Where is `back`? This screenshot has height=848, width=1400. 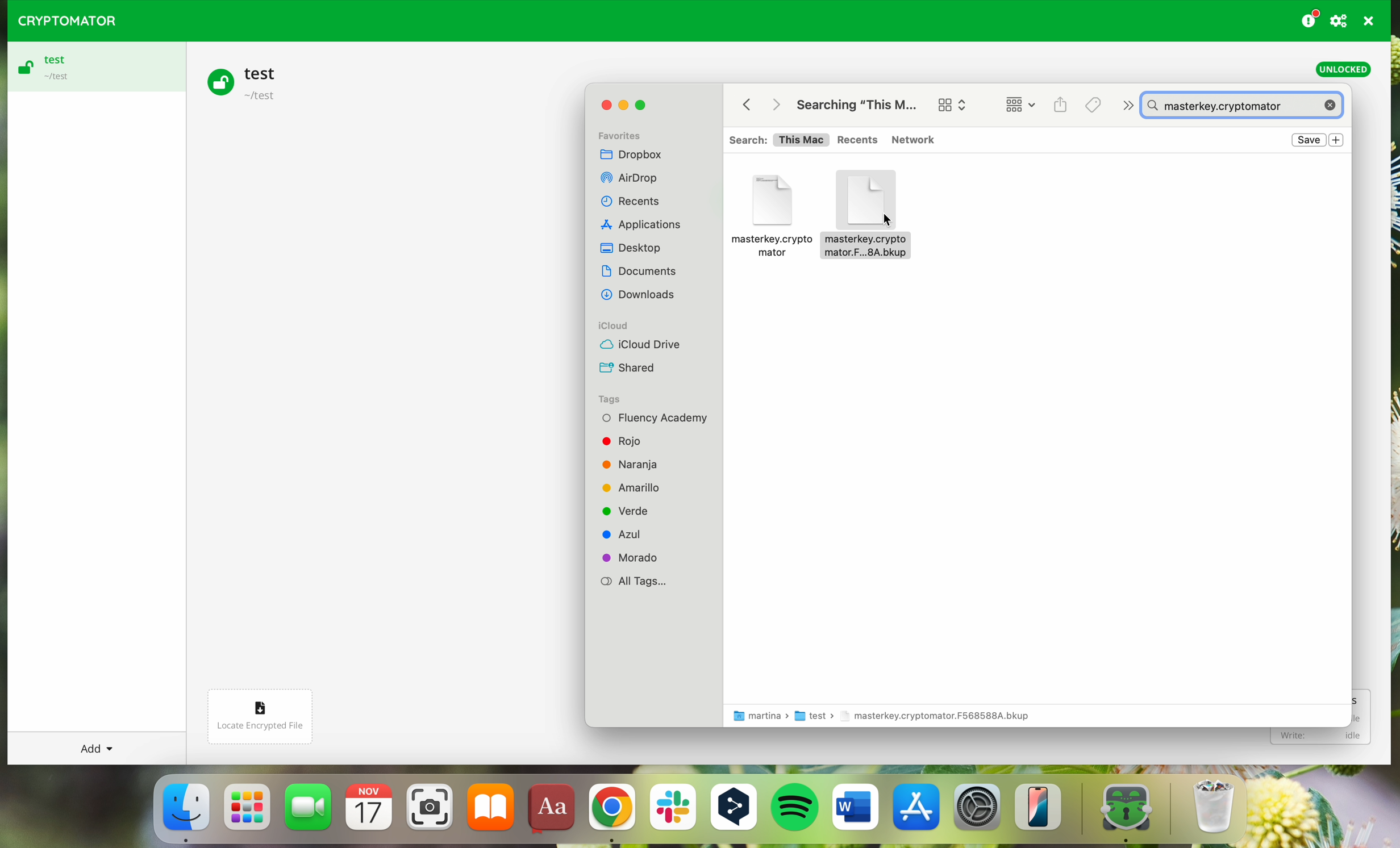
back is located at coordinates (742, 104).